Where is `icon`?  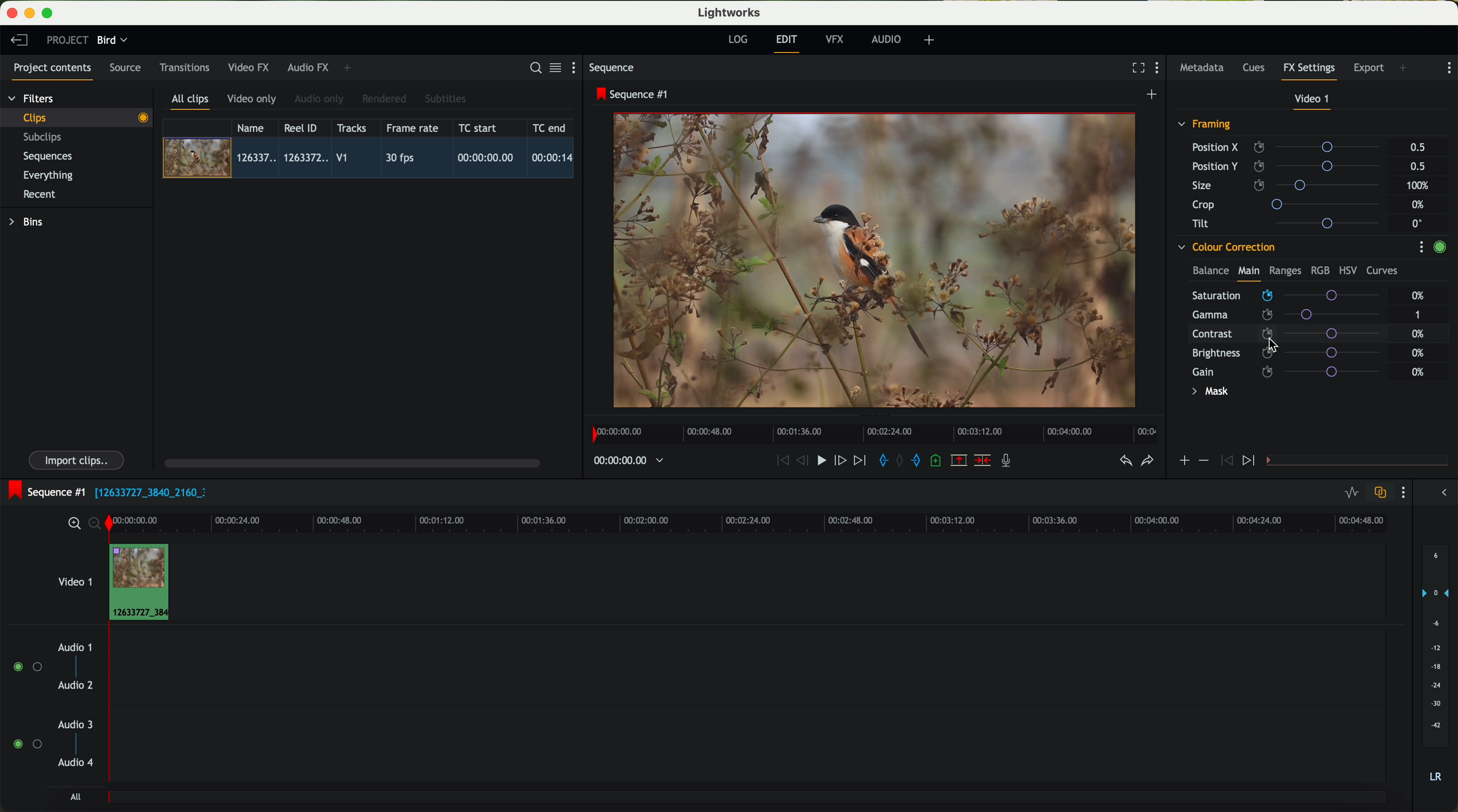
icon is located at coordinates (1183, 462).